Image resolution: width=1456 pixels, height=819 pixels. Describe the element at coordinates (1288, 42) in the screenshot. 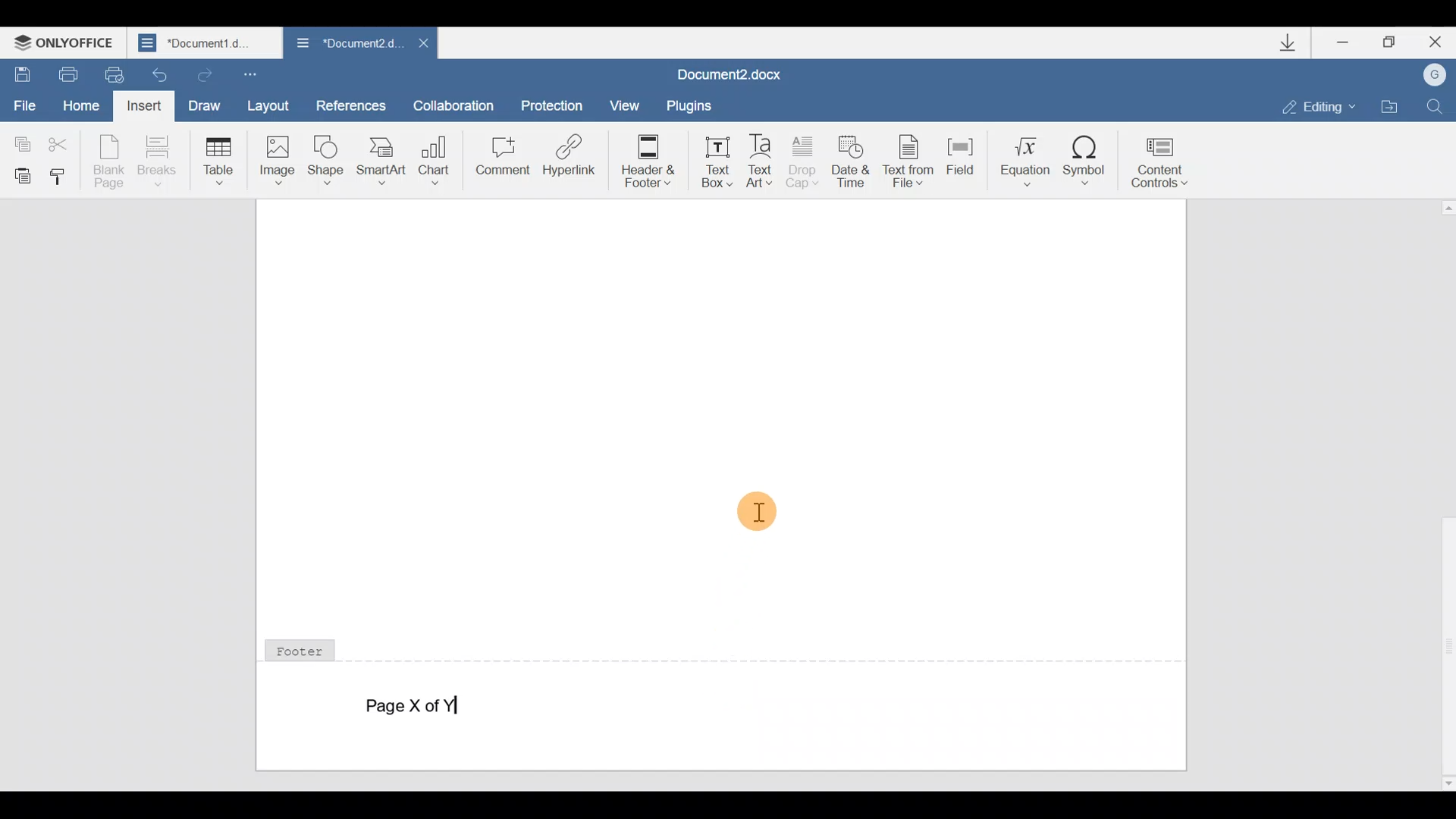

I see `Downloads` at that location.